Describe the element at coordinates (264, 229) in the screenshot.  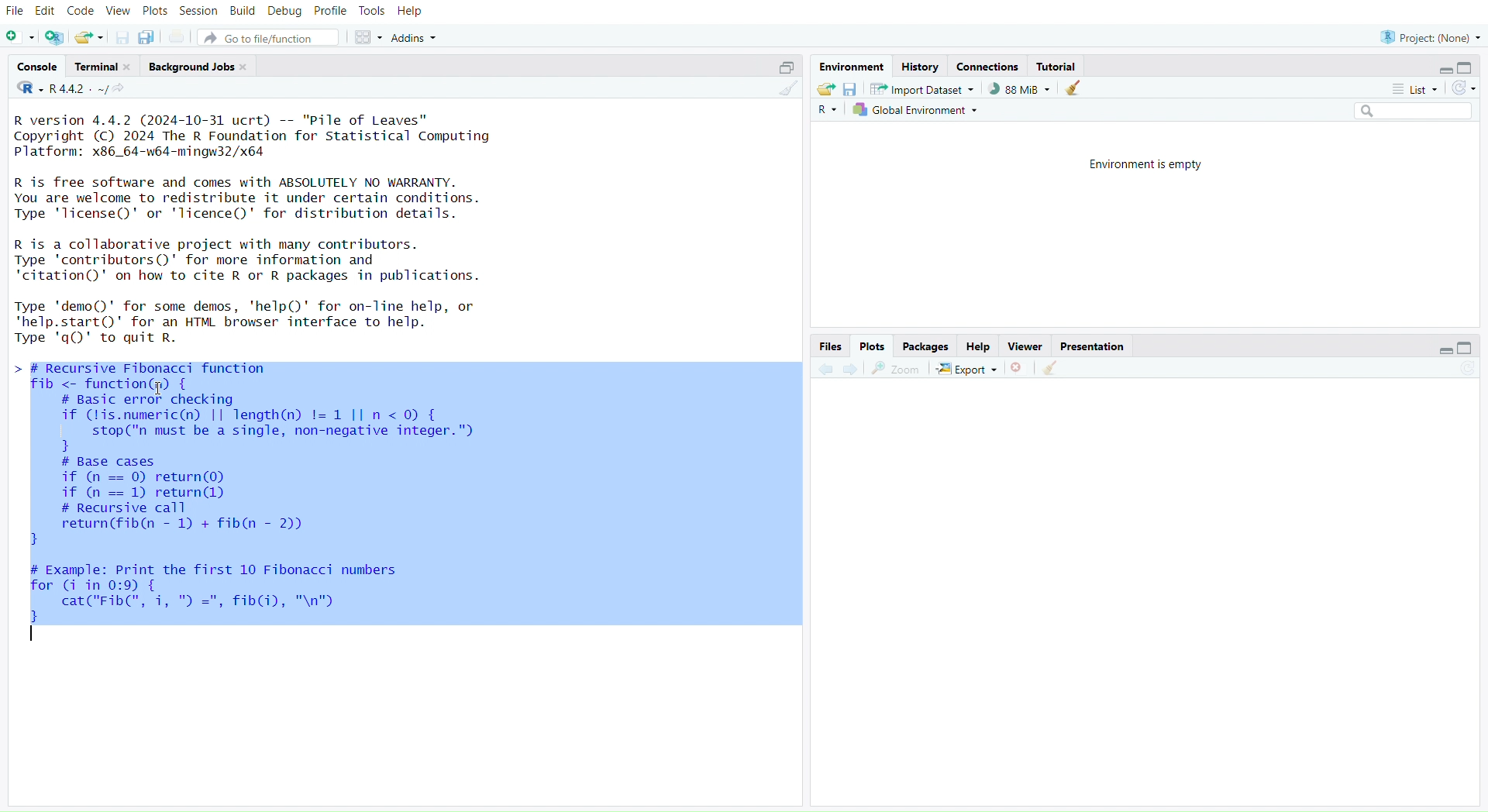
I see `R version 4.4.2 (2024-10-31 ucrt) -- "Pile of Leaves"
Copyright (C) 2024 The R Foundation for Statistical Computing
Platform: x86_64-w64-mingw32/x64
R is free software and comes with ABSOLUTELY NO WARRANTY.
You are welcome to redistribute it under certain conditions.
Type 'license()' or 'Ticence()' for distribution details.
R is a collaborative project with many contributors.
Type 'contributors()' for more information and
'citation()' on how to cite R or R packages in publications.
Type 'demo()' for some demos, 'help()' for on-line help, or
'help.start()' for an HTML browser interface to help.
Type 'qQ)' to quit R.
>

I` at that location.